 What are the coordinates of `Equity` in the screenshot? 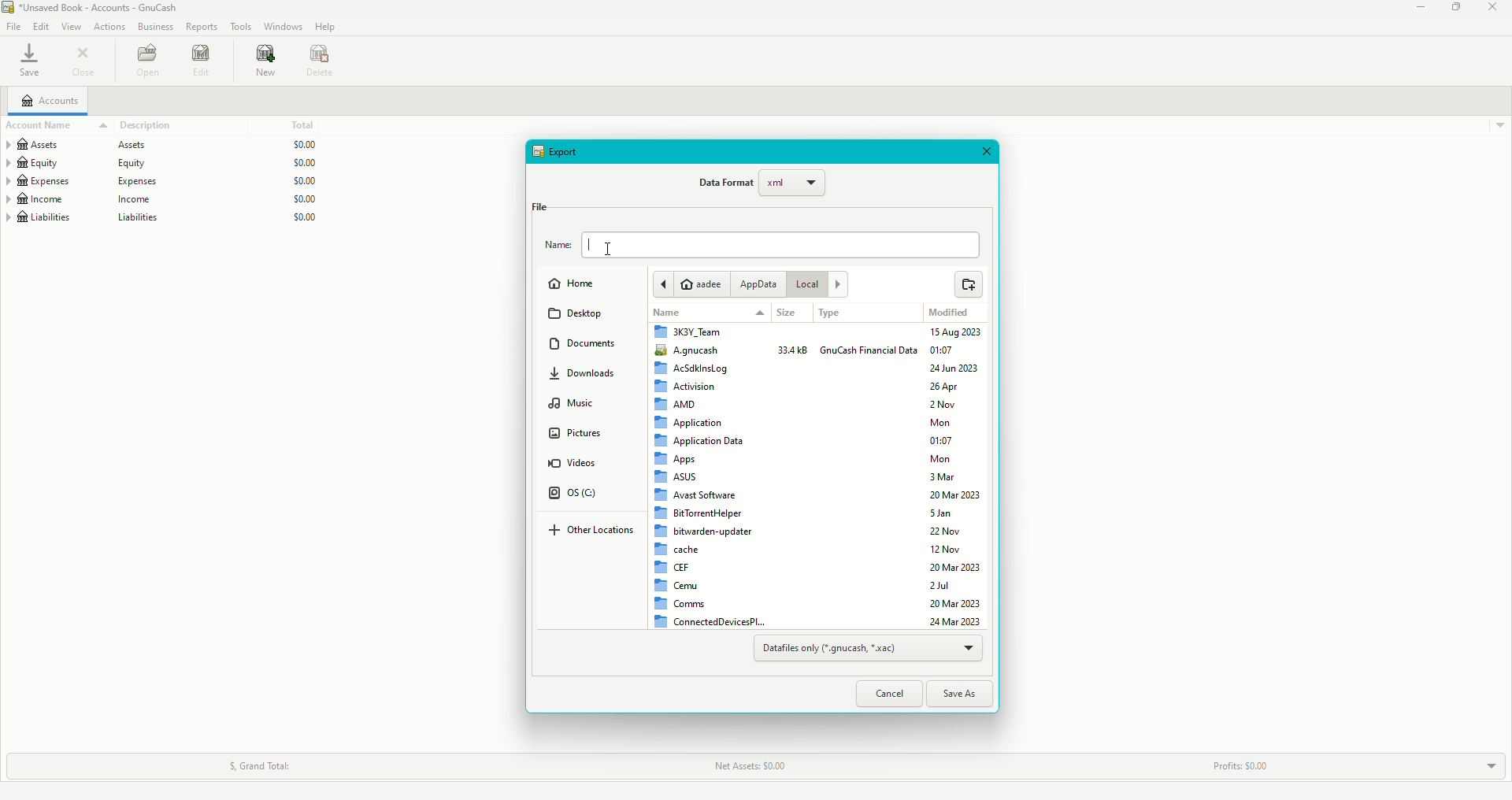 It's located at (172, 161).